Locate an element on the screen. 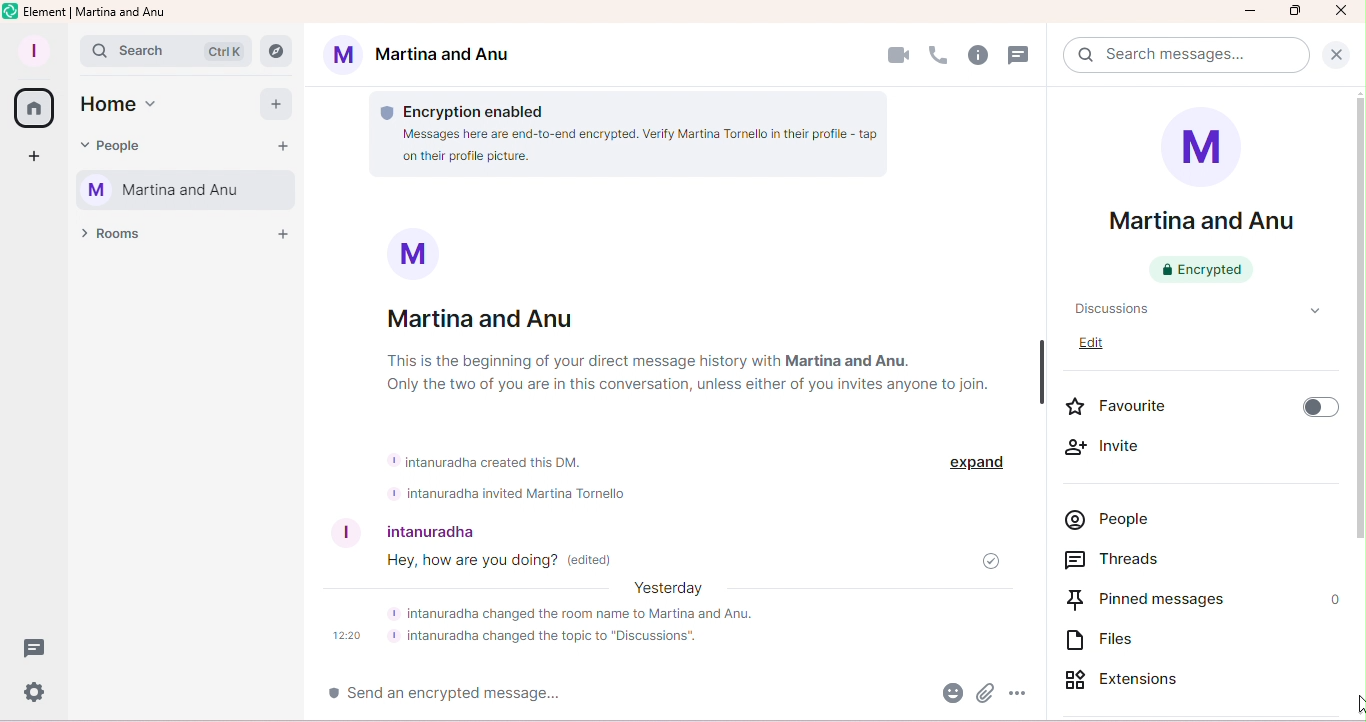 Image resolution: width=1366 pixels, height=722 pixels. Files is located at coordinates (1093, 642).